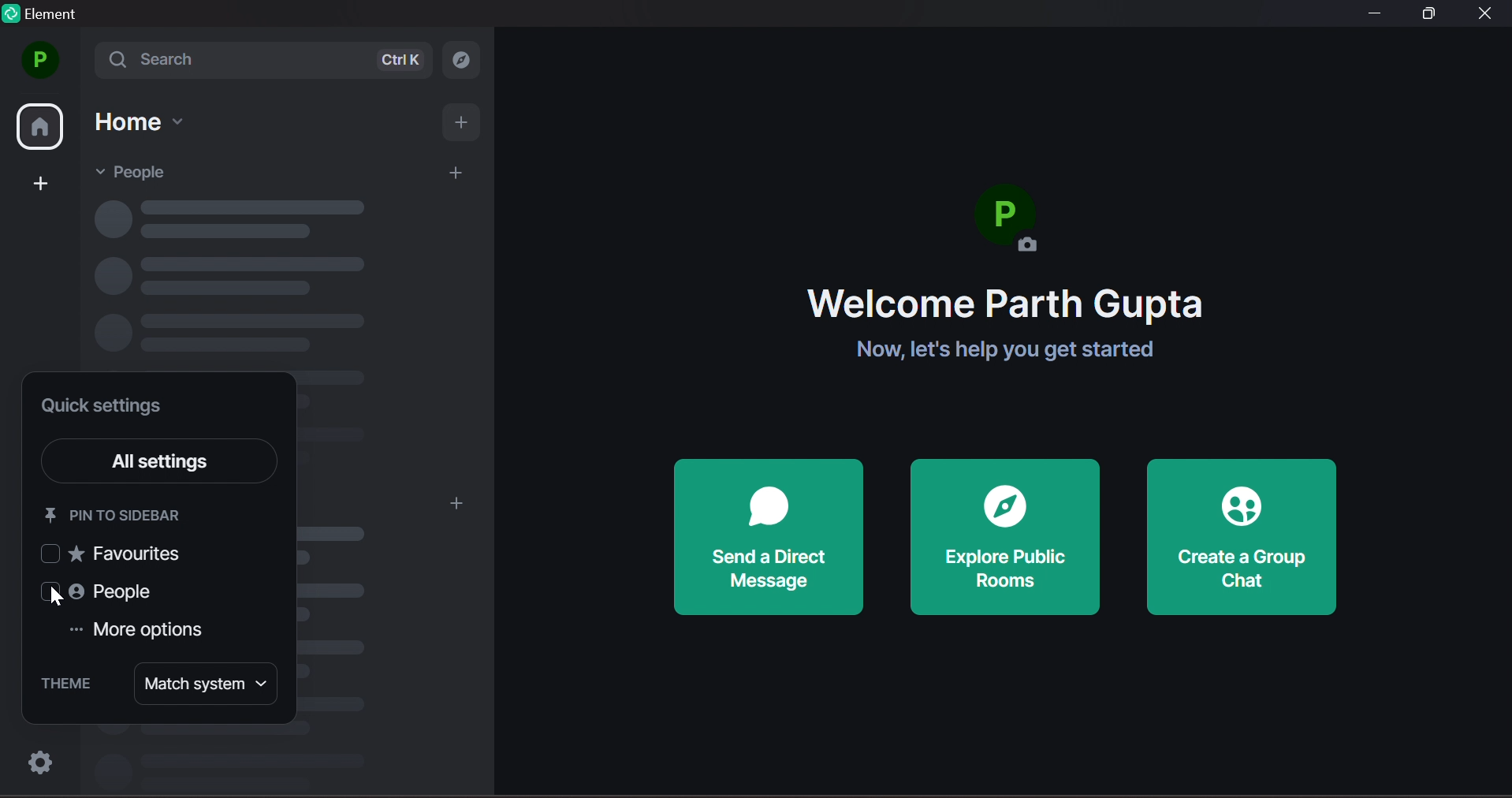 This screenshot has height=798, width=1512. I want to click on close, so click(1486, 14).